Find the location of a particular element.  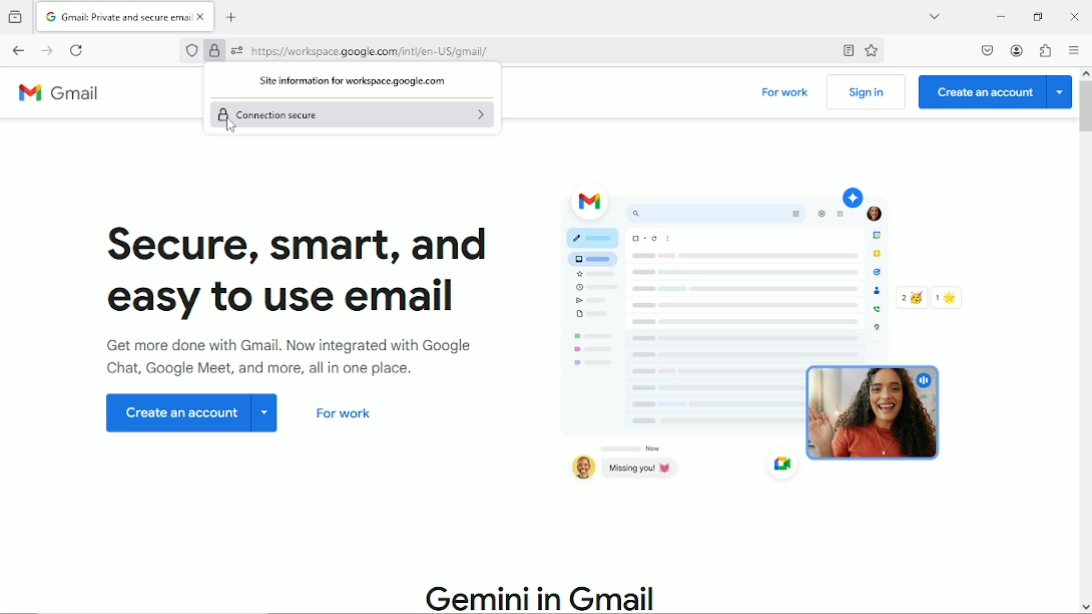

Open application menu is located at coordinates (1074, 49).